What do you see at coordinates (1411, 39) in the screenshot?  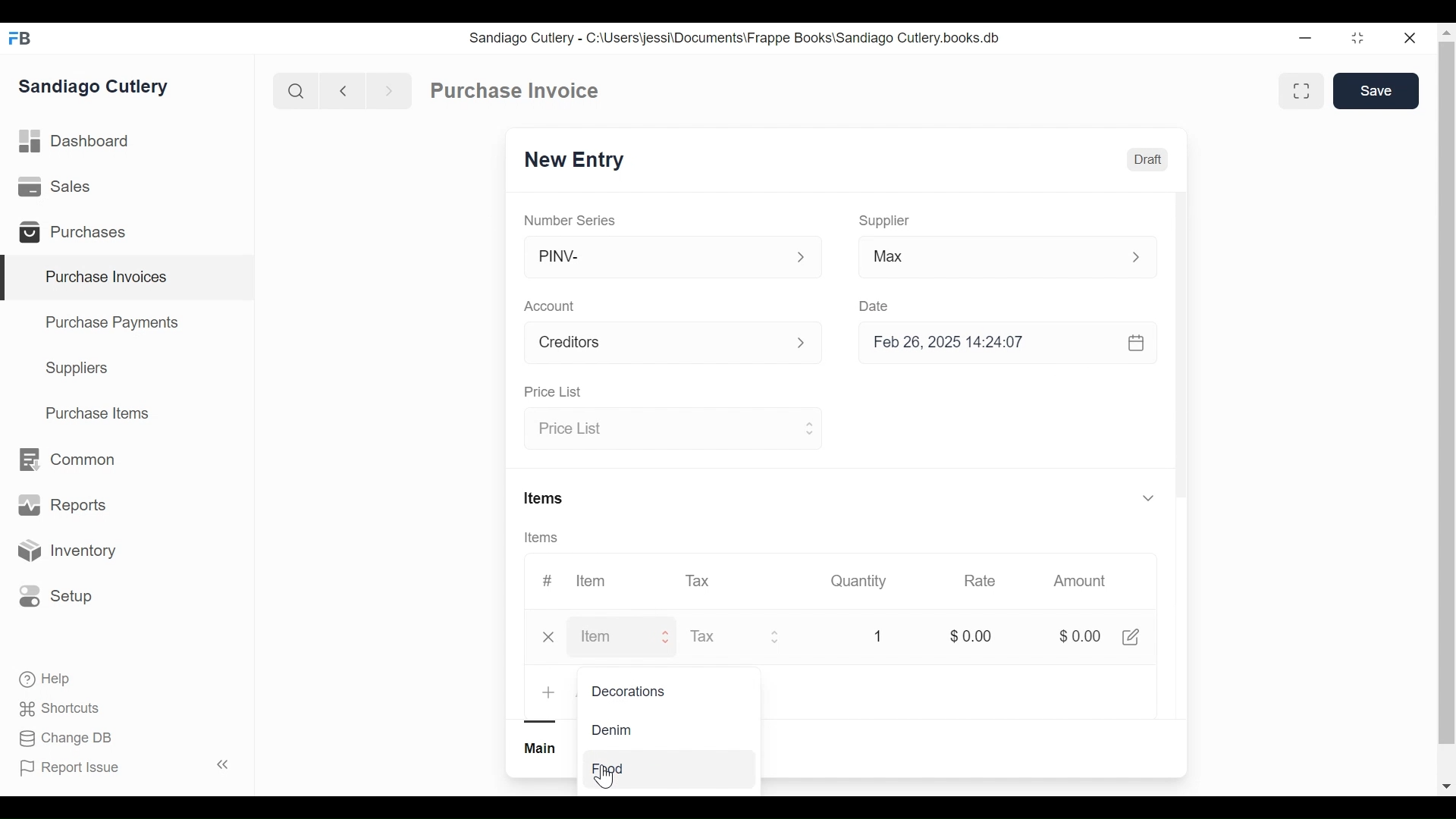 I see `close` at bounding box center [1411, 39].